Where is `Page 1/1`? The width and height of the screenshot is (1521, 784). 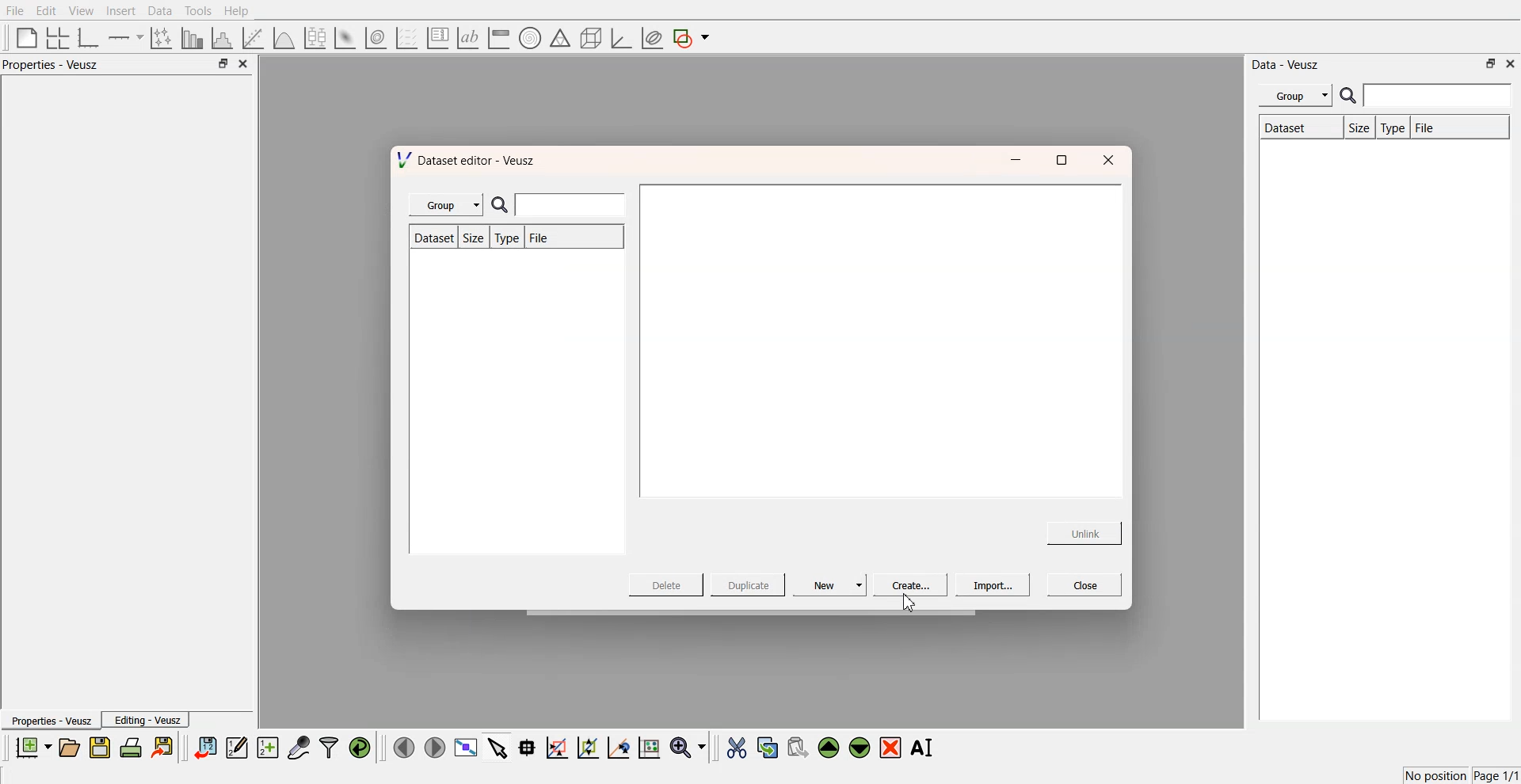
Page 1/1 is located at coordinates (1497, 776).